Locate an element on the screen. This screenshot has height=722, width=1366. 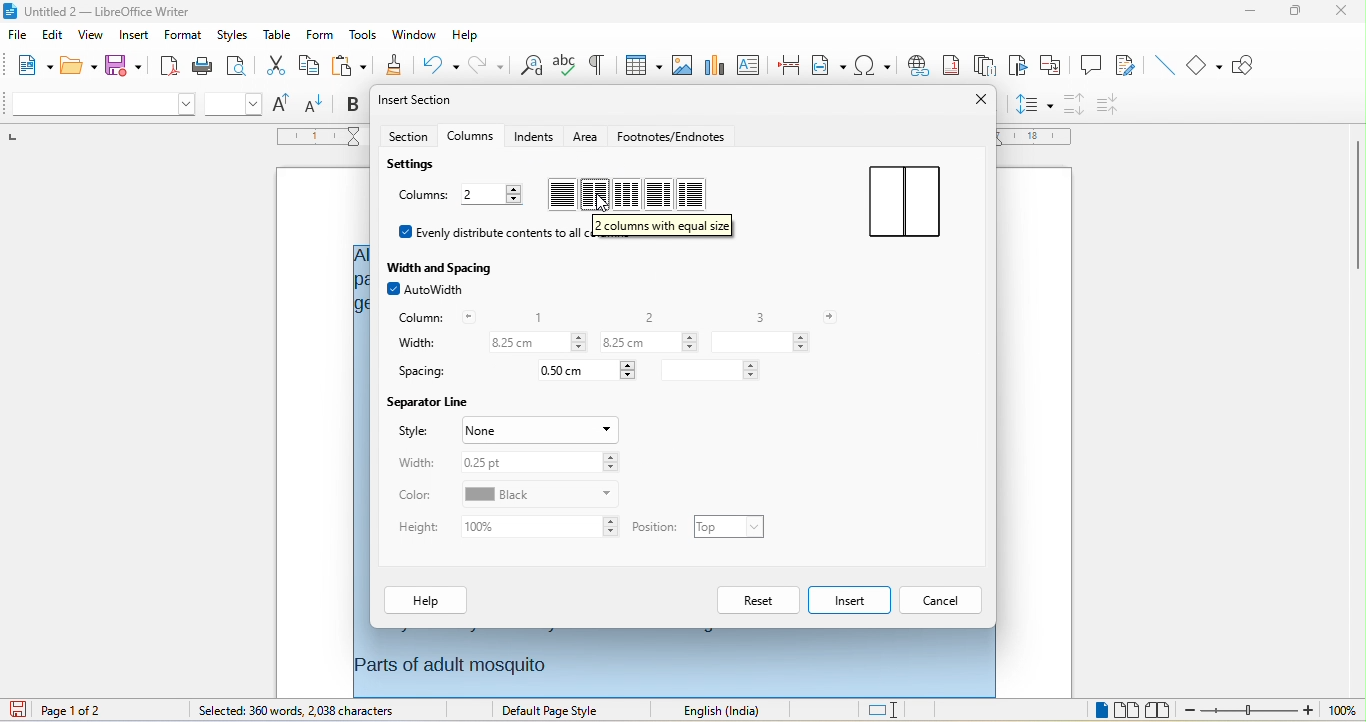
cross reference is located at coordinates (1051, 65).